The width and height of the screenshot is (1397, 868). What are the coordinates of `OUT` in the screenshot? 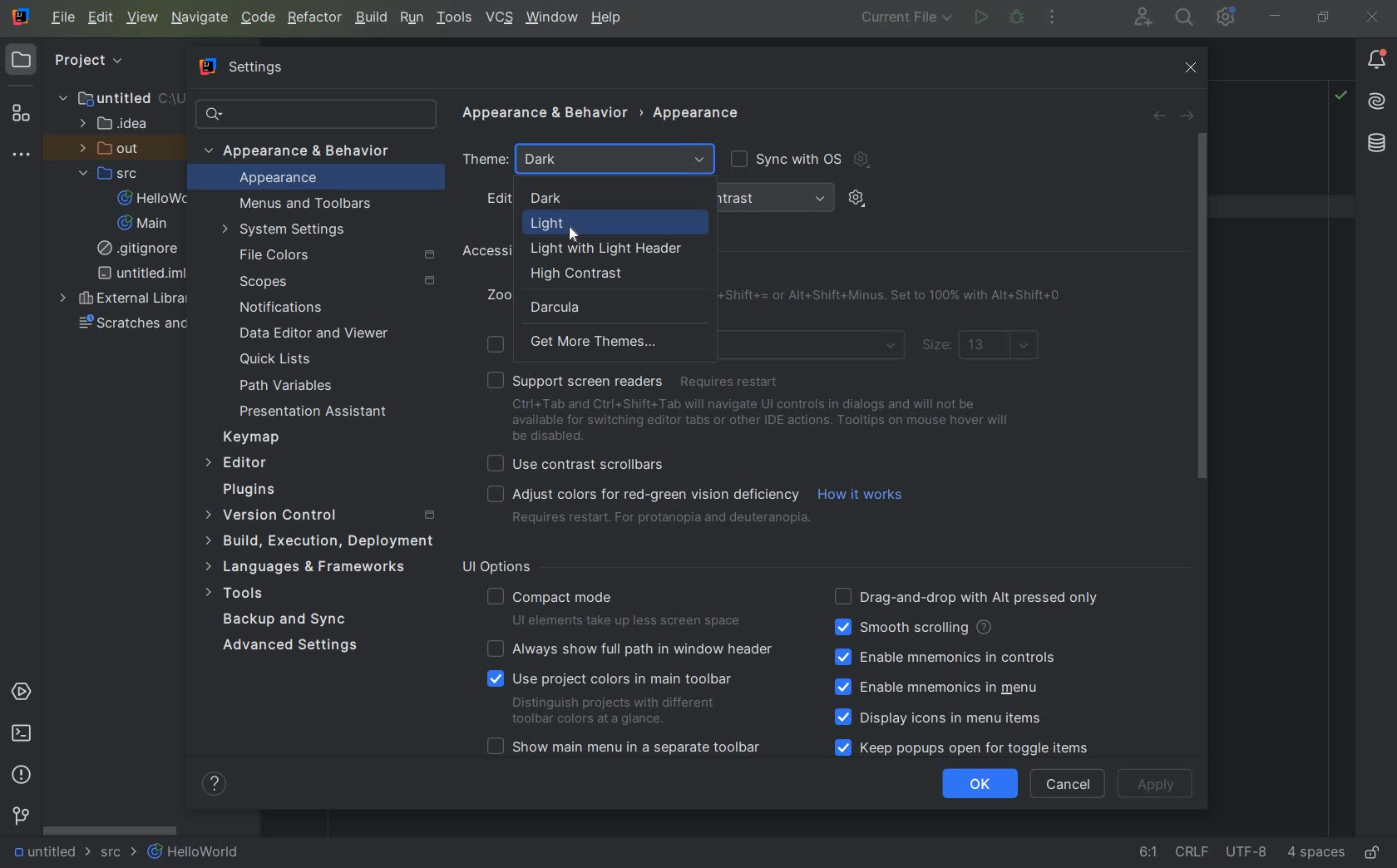 It's located at (115, 149).